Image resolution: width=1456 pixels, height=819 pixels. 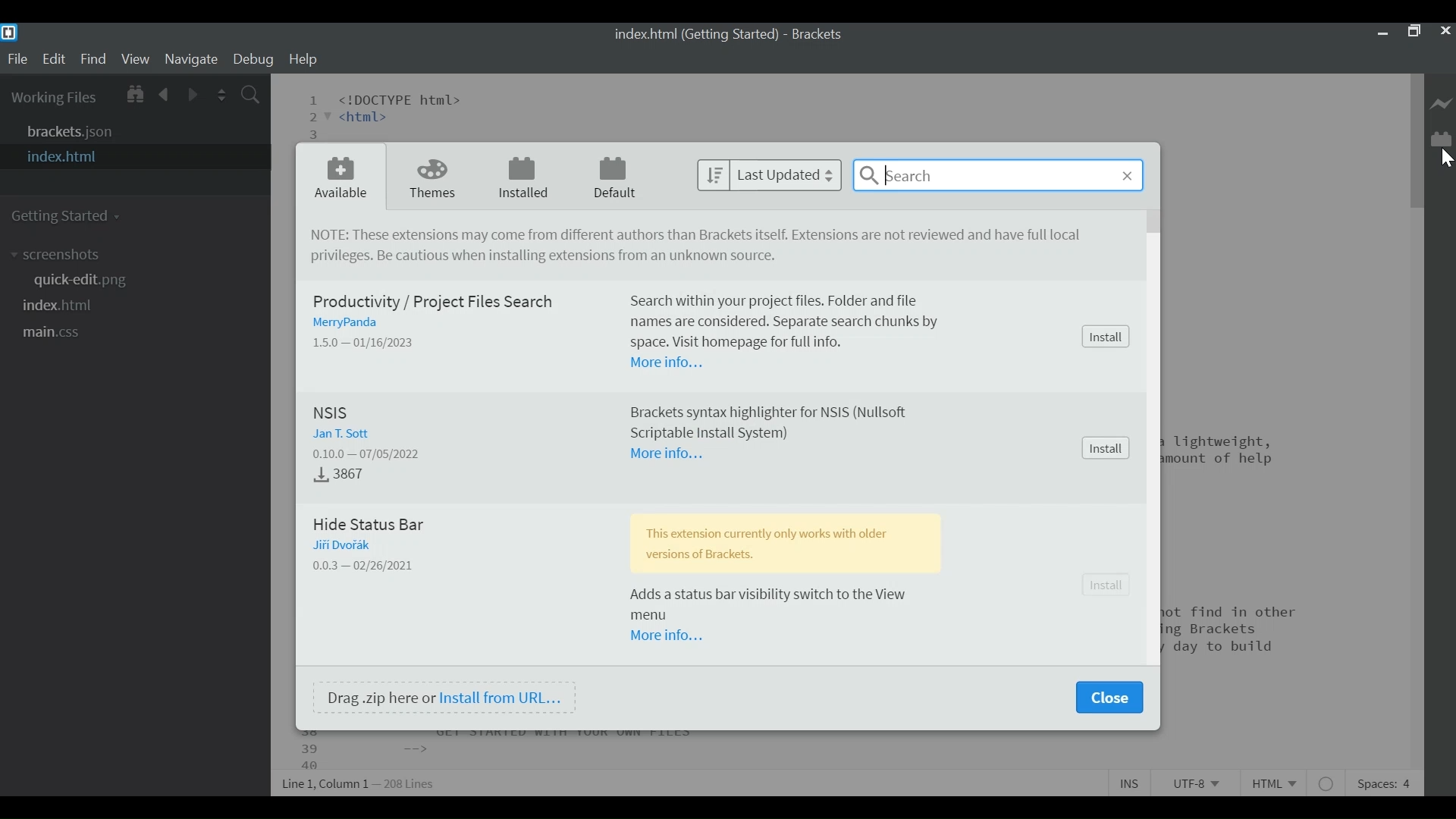 I want to click on Productivity/ Project Files Search, so click(x=439, y=302).